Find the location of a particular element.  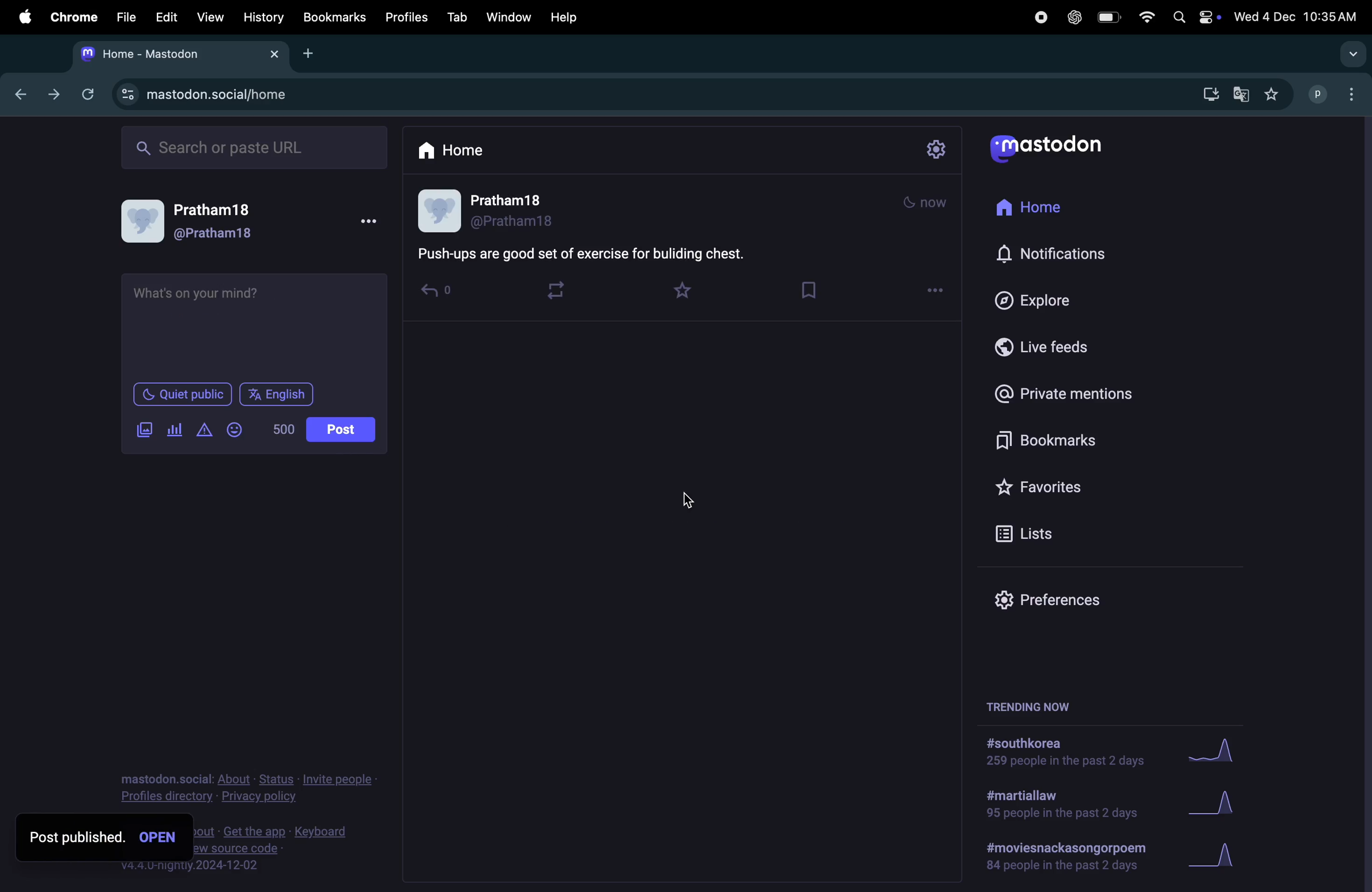

wifi is located at coordinates (1145, 18).